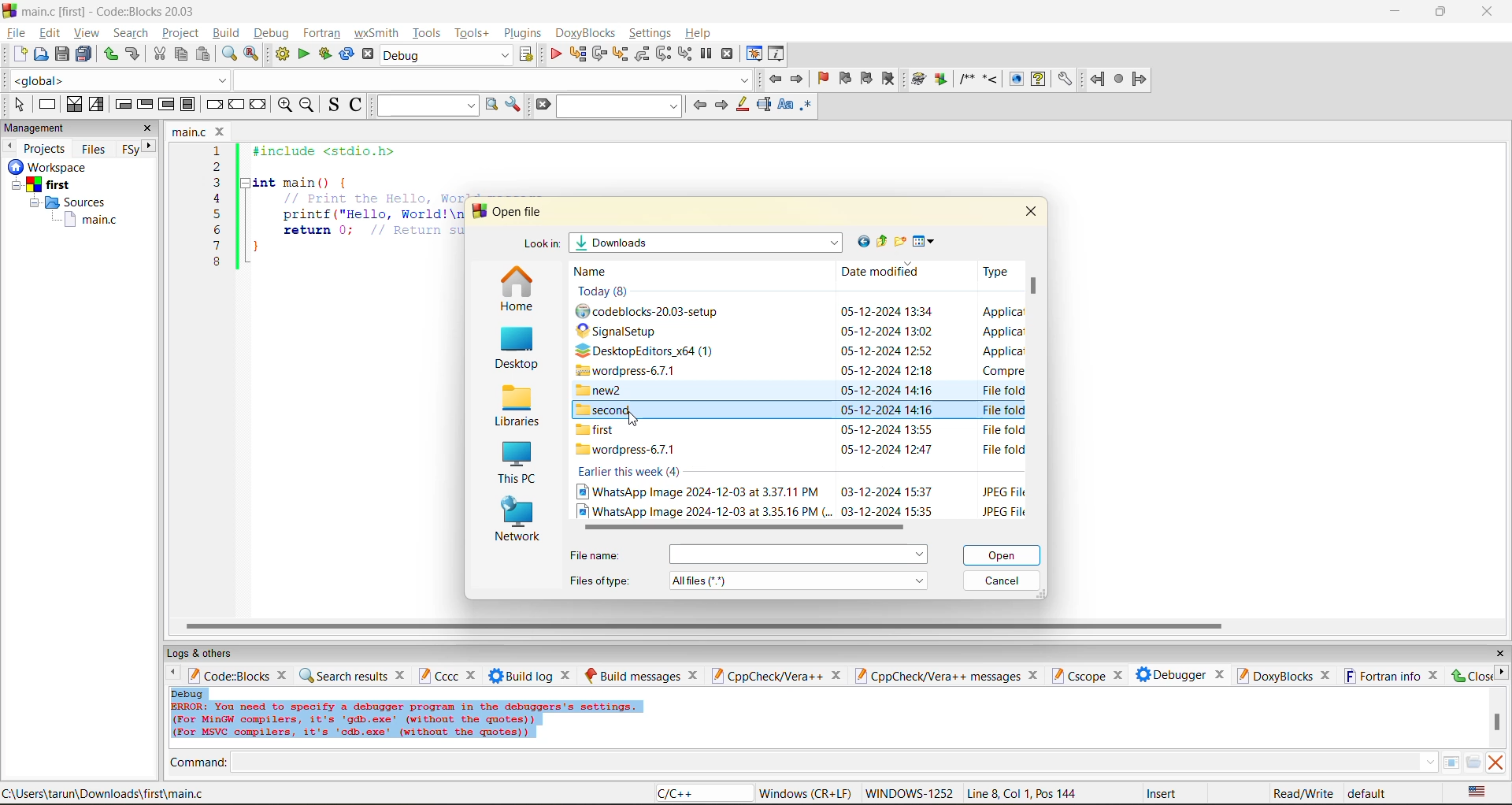  Describe the element at coordinates (641, 54) in the screenshot. I see `step out` at that location.